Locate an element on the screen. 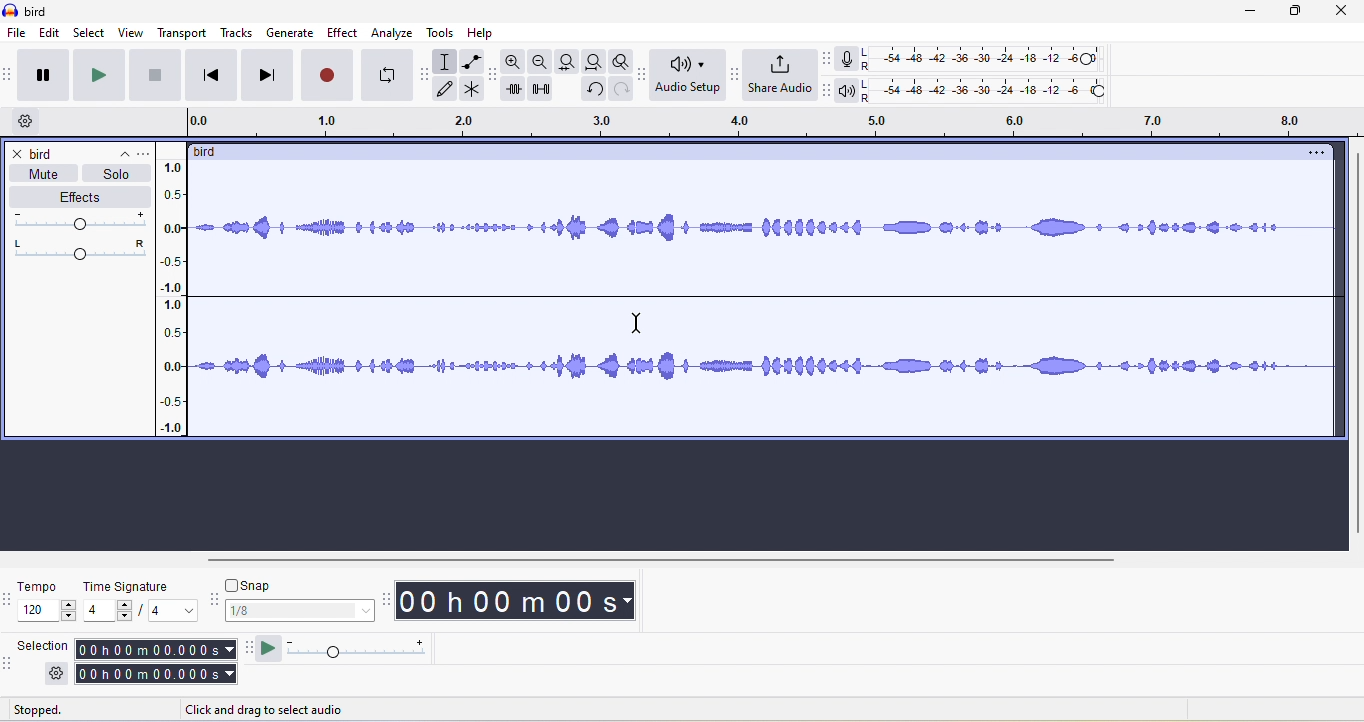  edit is located at coordinates (51, 34).